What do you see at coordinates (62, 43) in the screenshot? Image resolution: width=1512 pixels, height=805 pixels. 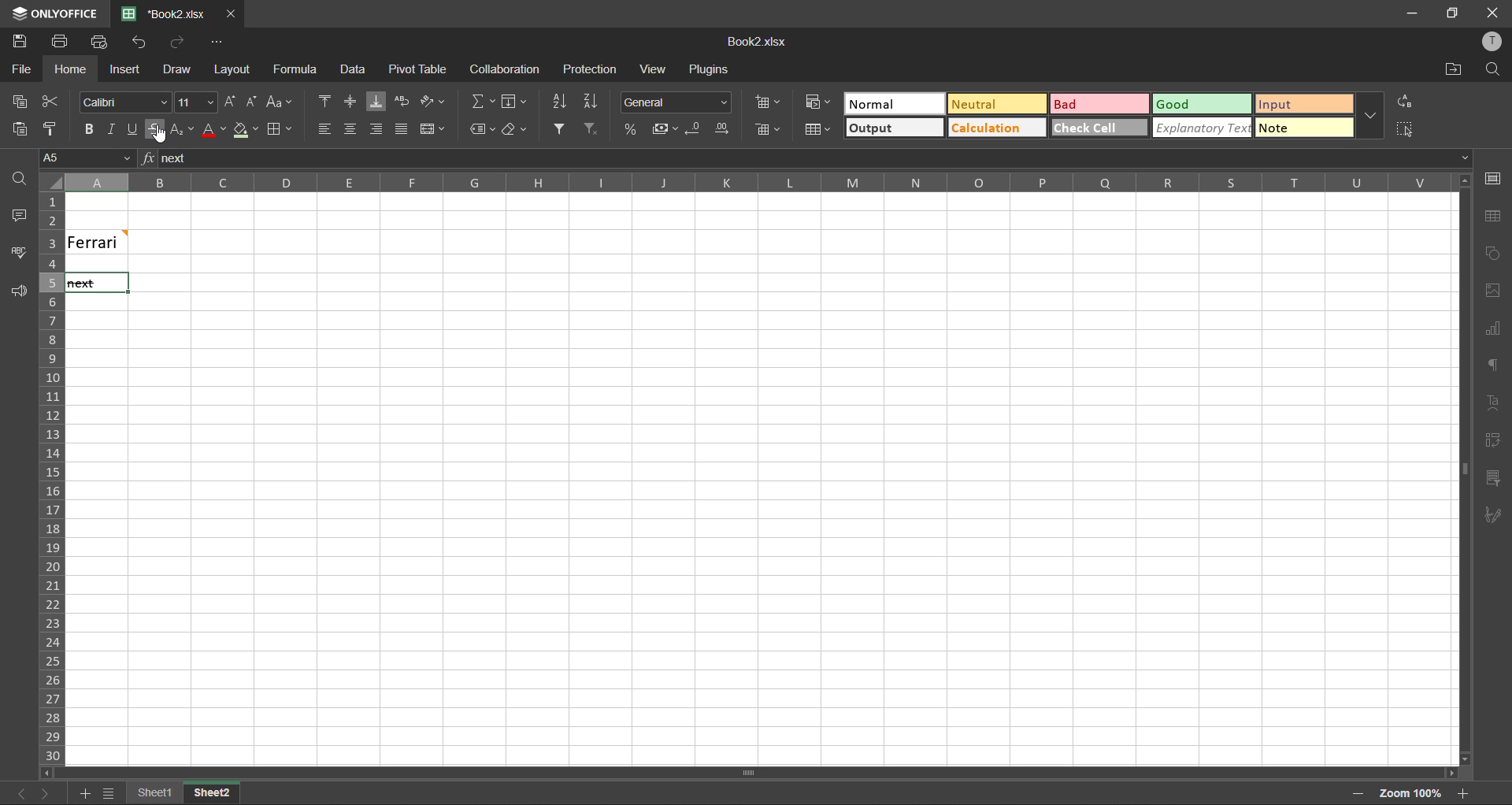 I see `print` at bounding box center [62, 43].